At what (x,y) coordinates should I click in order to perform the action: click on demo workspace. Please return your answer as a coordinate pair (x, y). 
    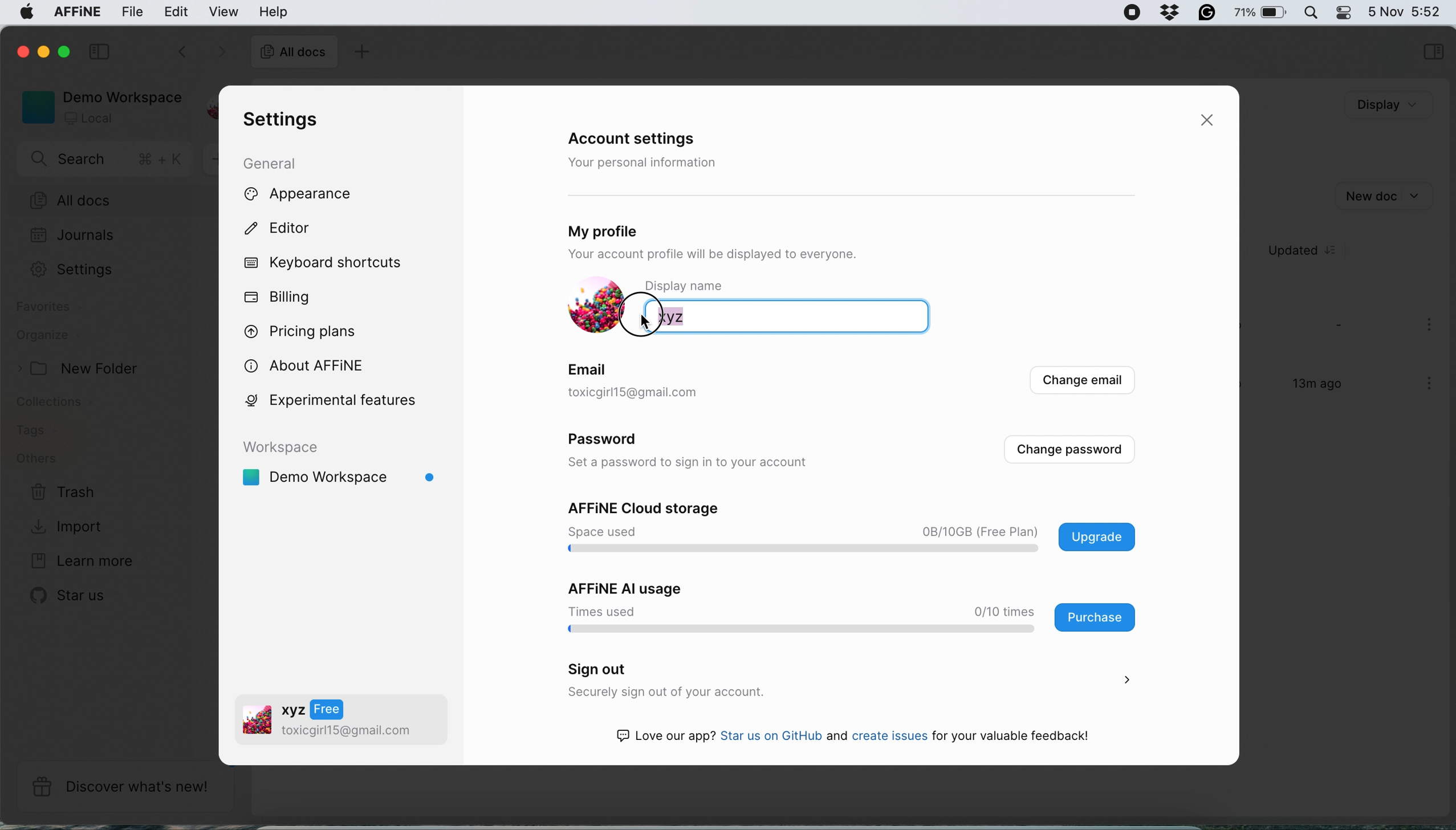
    Looking at the image, I should click on (344, 469).